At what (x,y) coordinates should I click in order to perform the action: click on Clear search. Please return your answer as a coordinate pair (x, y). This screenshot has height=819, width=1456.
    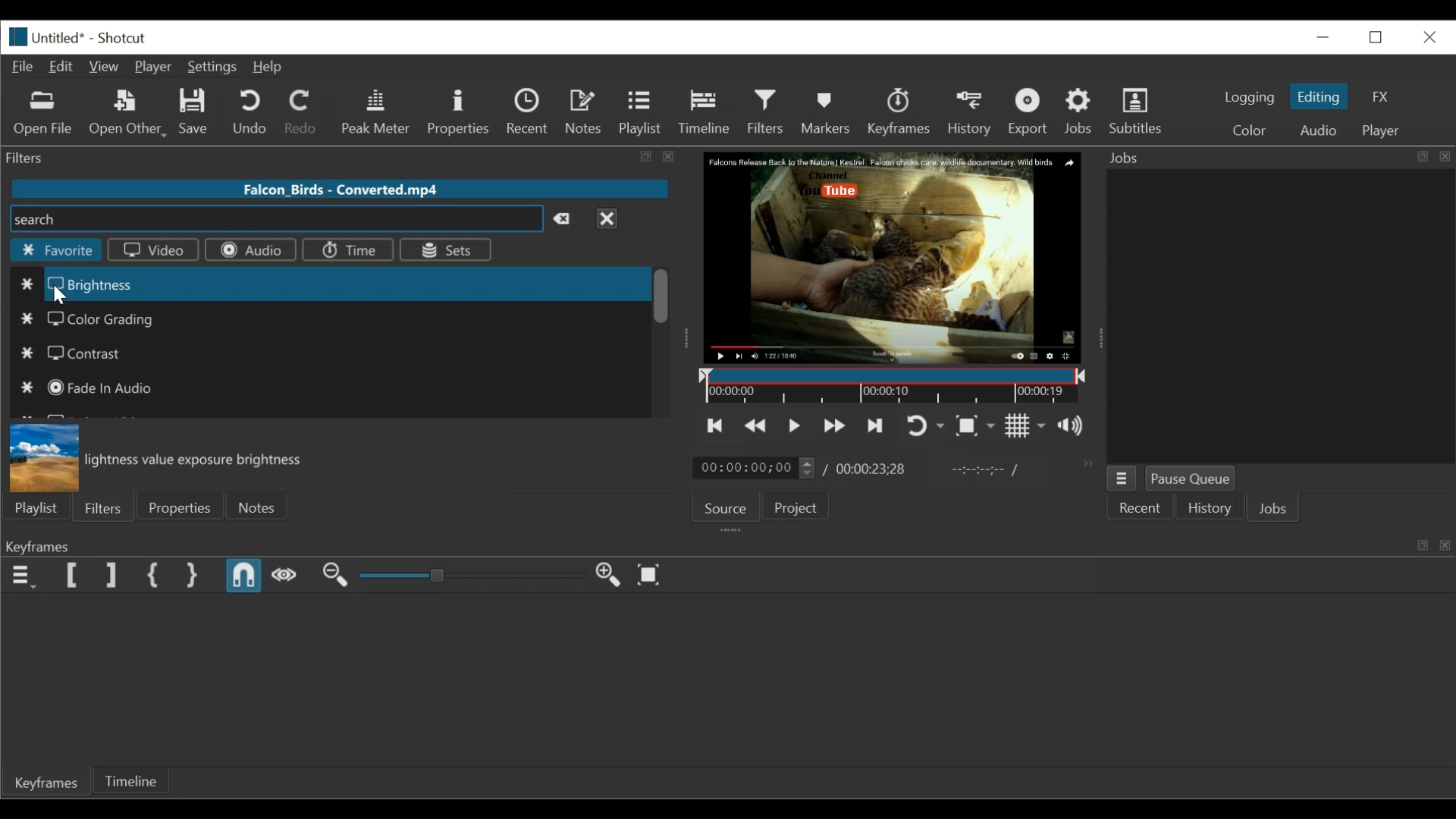
    Looking at the image, I should click on (563, 219).